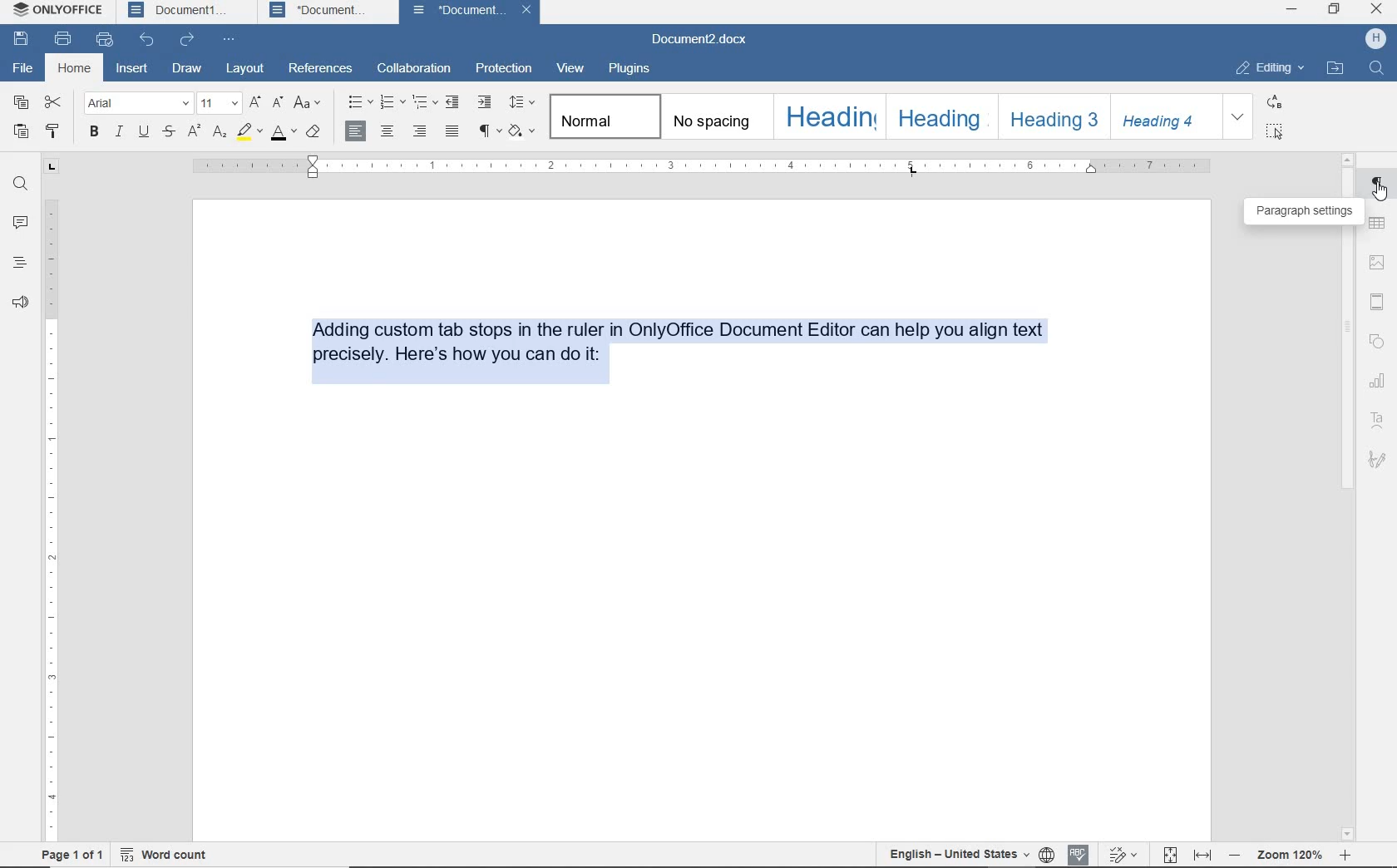 The height and width of the screenshot is (868, 1397). Describe the element at coordinates (955, 853) in the screenshot. I see `text language` at that location.